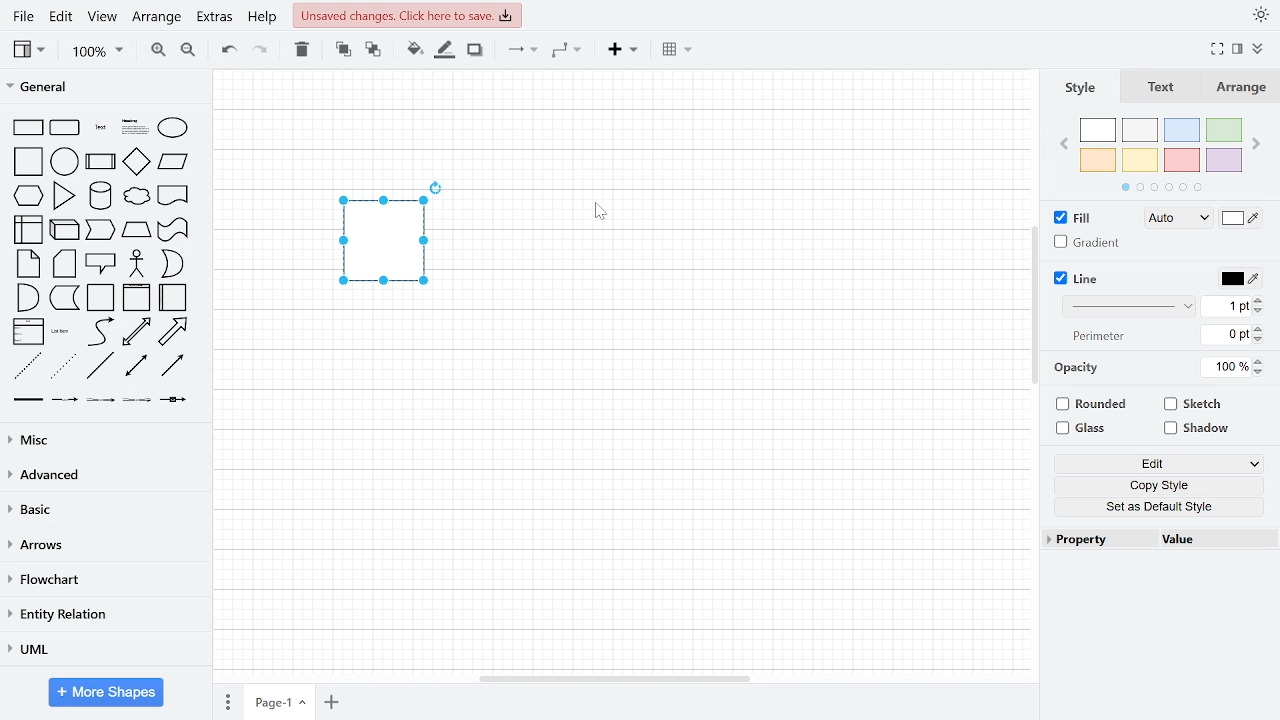  I want to click on document, so click(173, 196).